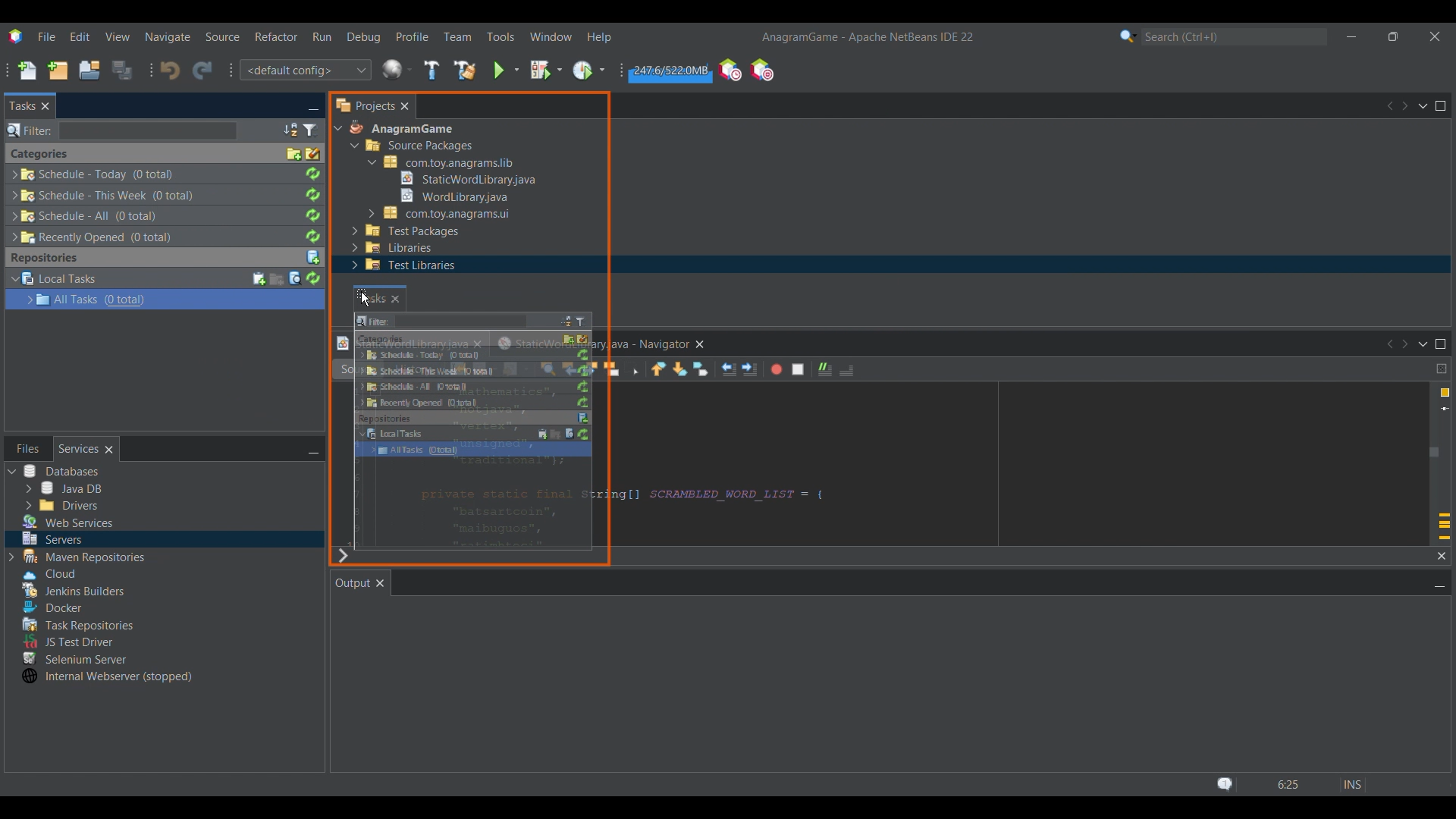 Image resolution: width=1456 pixels, height=819 pixels. What do you see at coordinates (730, 69) in the screenshot?
I see `Profile the IDE` at bounding box center [730, 69].